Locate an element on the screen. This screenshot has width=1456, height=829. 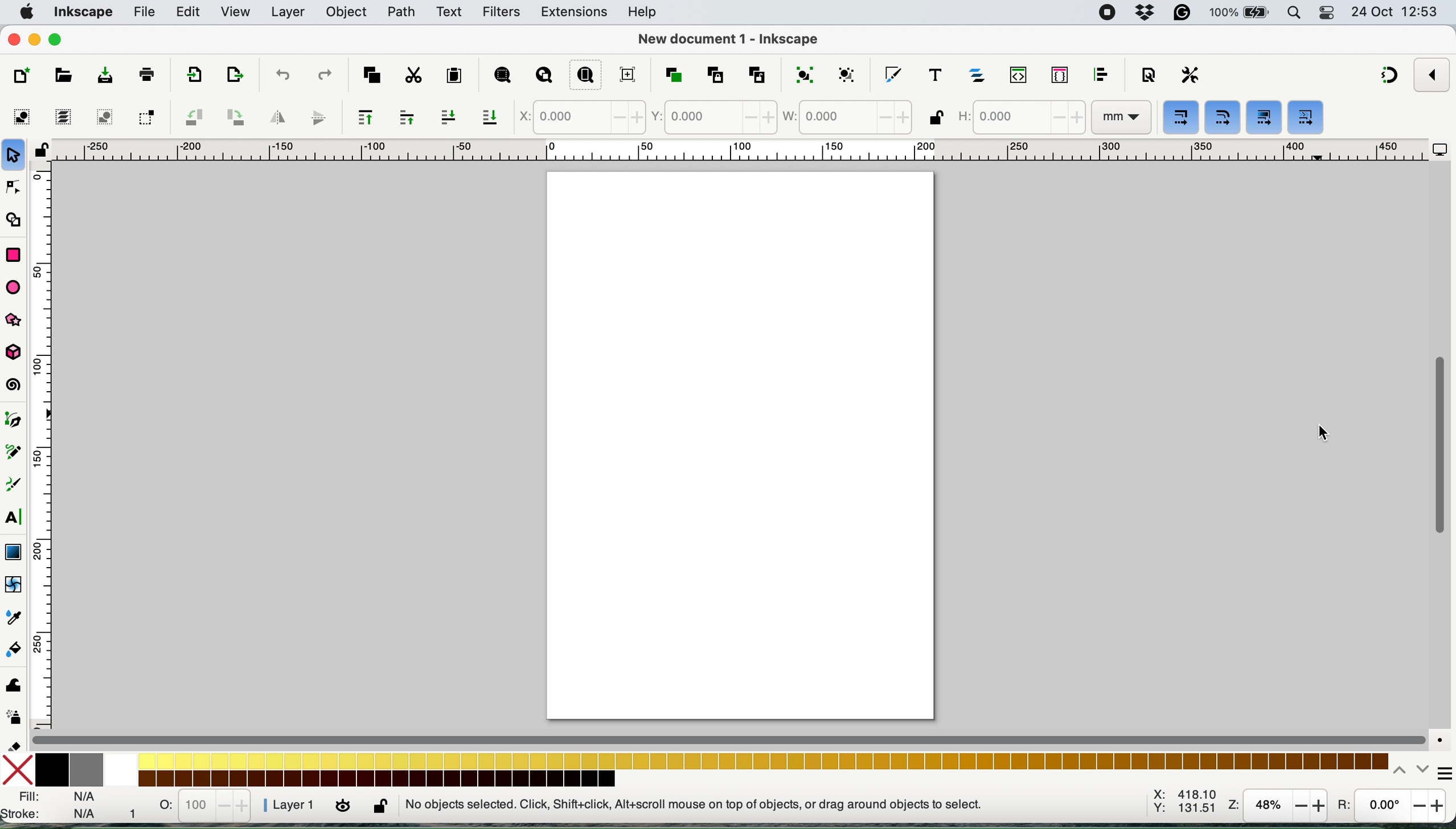
select all in all layers is located at coordinates (61, 117).